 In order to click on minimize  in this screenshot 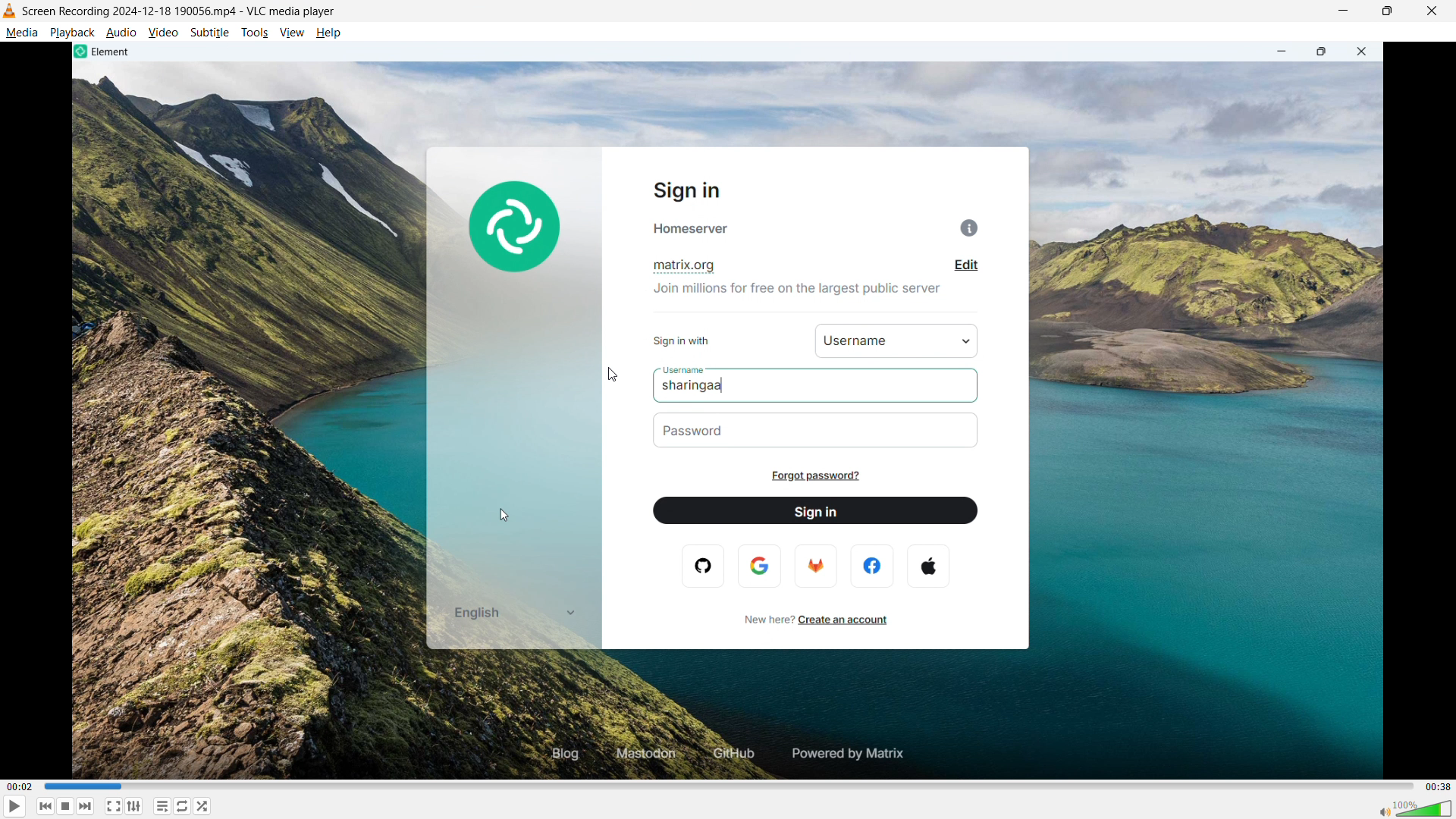, I will do `click(1345, 12)`.